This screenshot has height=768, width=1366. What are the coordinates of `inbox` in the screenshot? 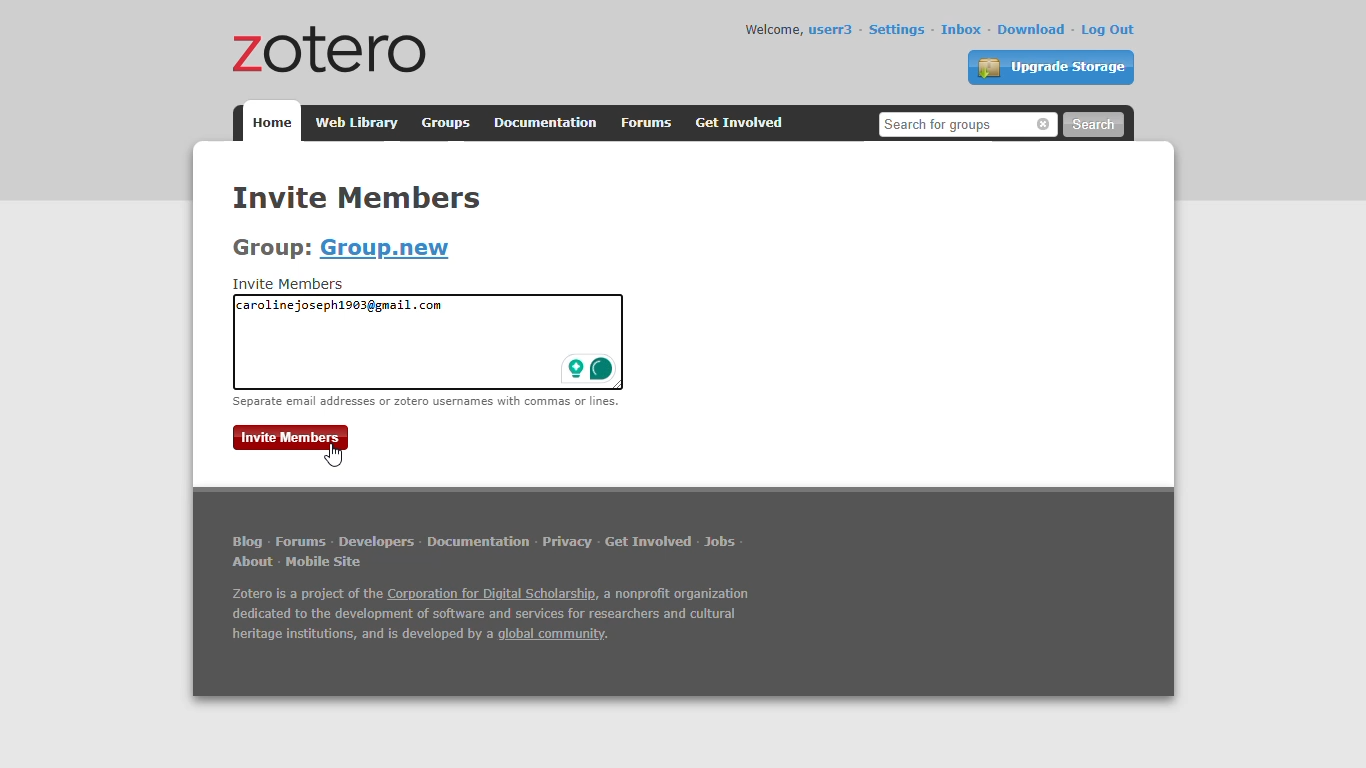 It's located at (961, 29).